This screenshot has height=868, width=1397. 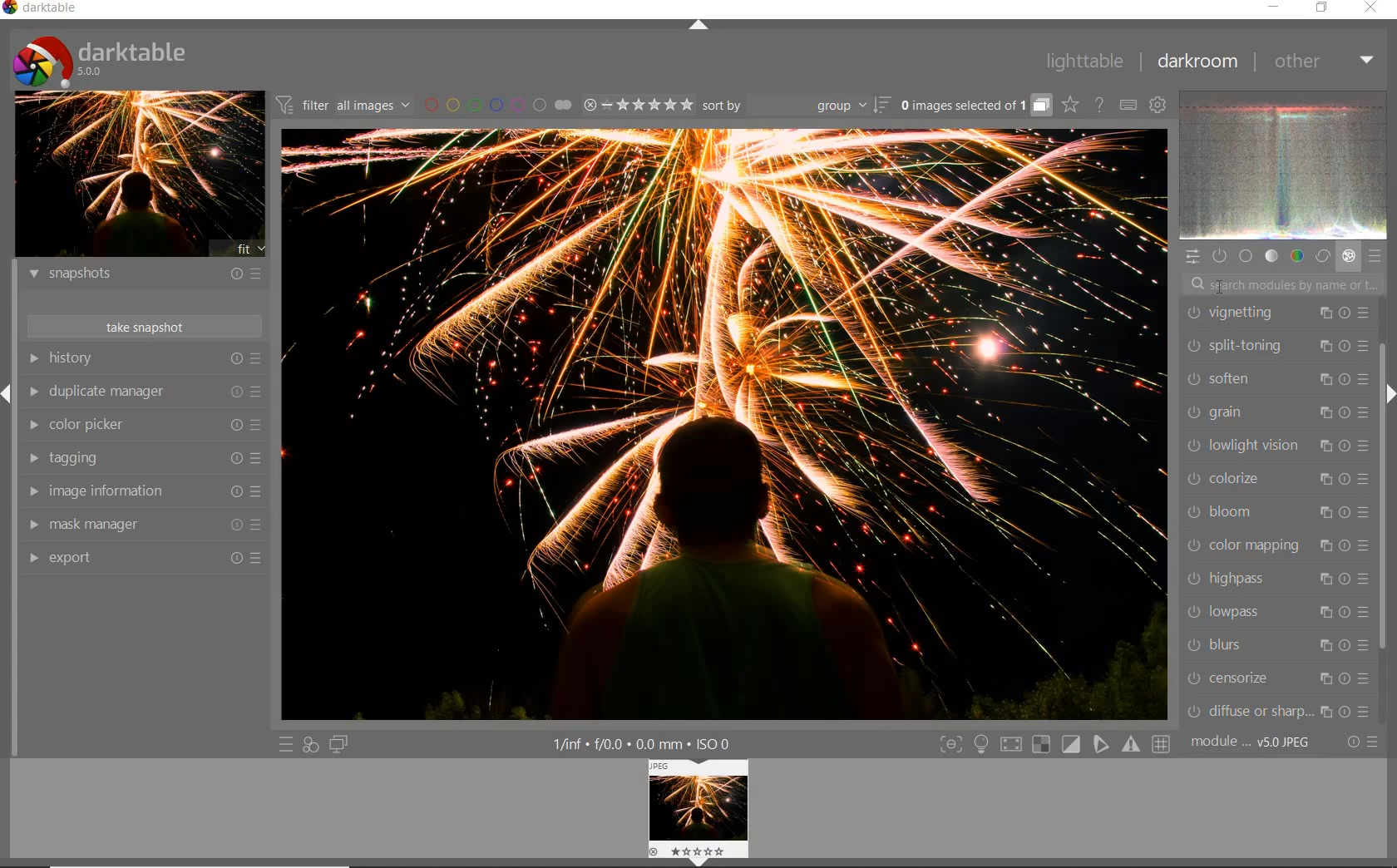 What do you see at coordinates (1193, 255) in the screenshot?
I see `quick access panel` at bounding box center [1193, 255].